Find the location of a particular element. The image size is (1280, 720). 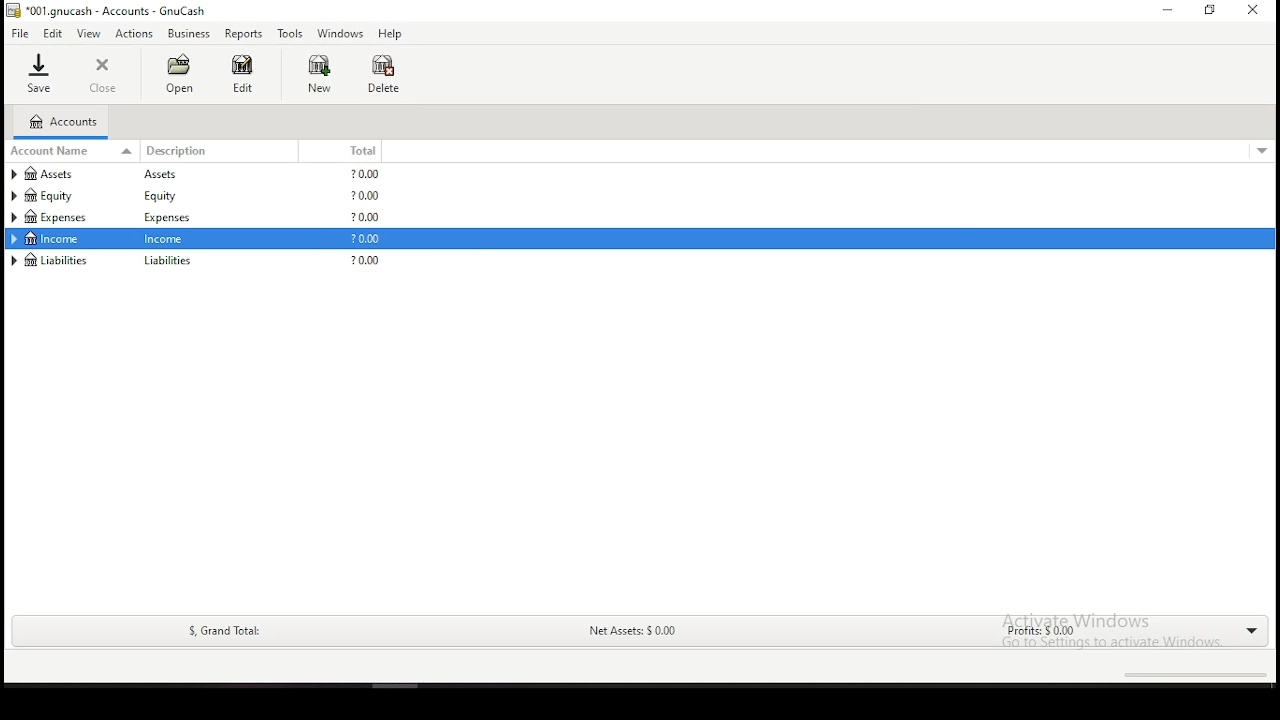

assets is located at coordinates (66, 174).